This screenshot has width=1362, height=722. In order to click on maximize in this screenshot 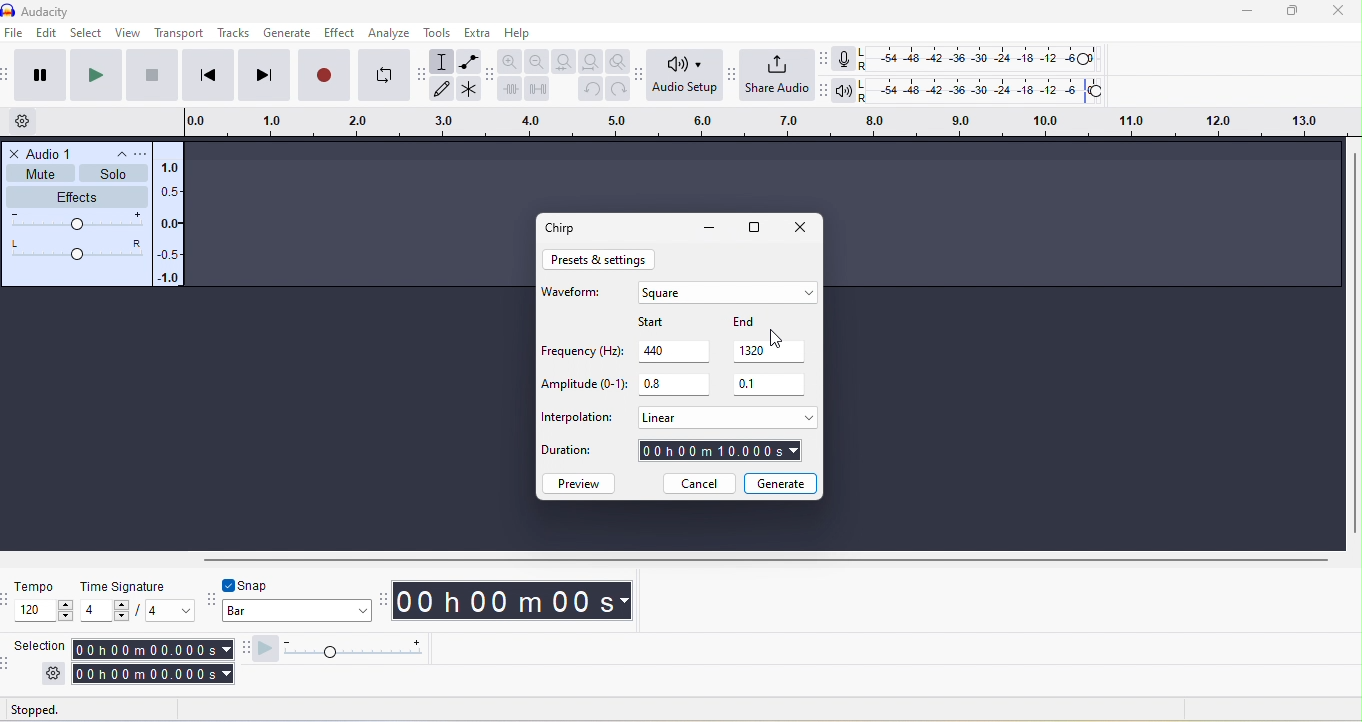, I will do `click(1299, 11)`.